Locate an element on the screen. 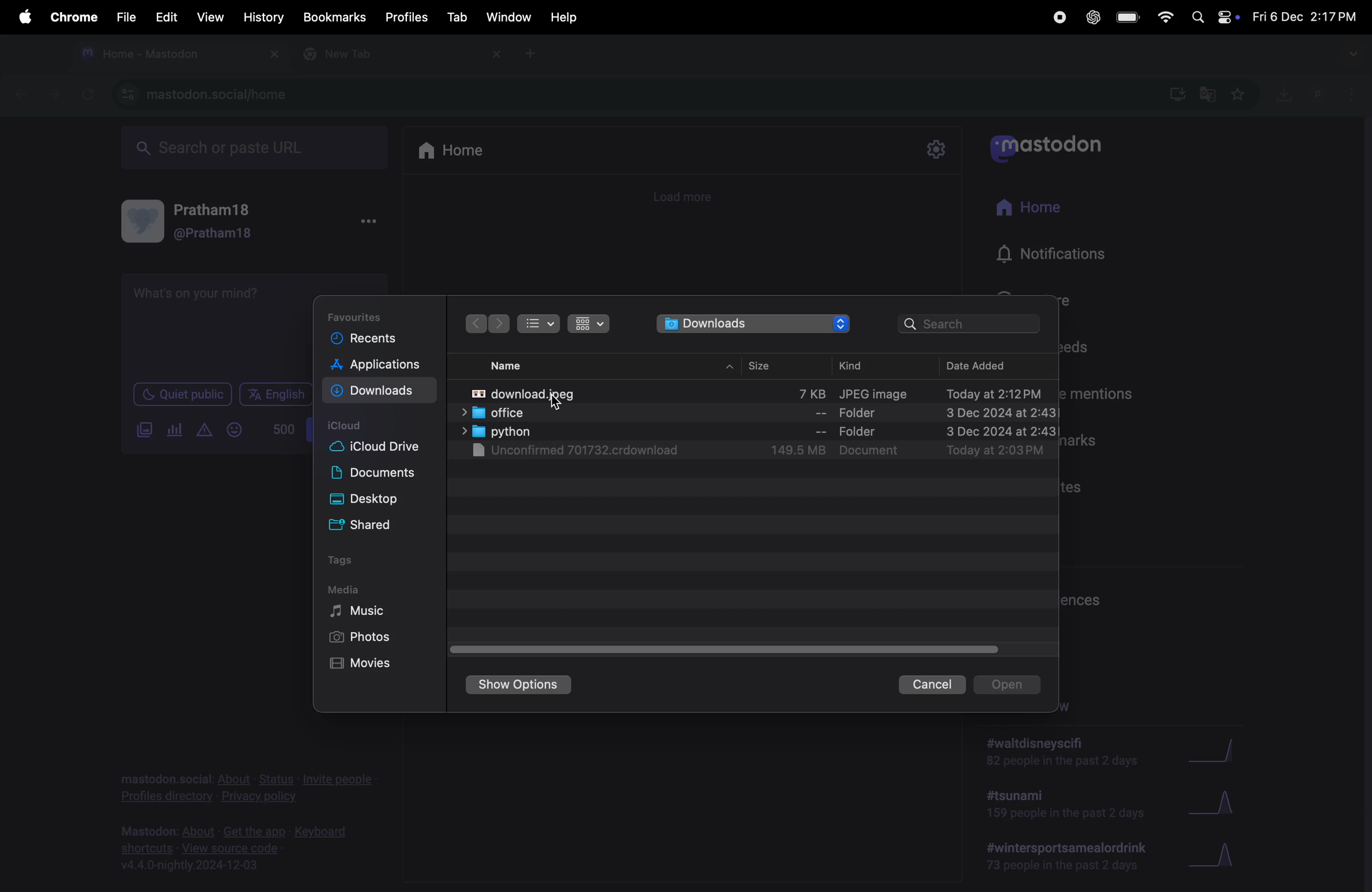  Favourites is located at coordinates (356, 315).